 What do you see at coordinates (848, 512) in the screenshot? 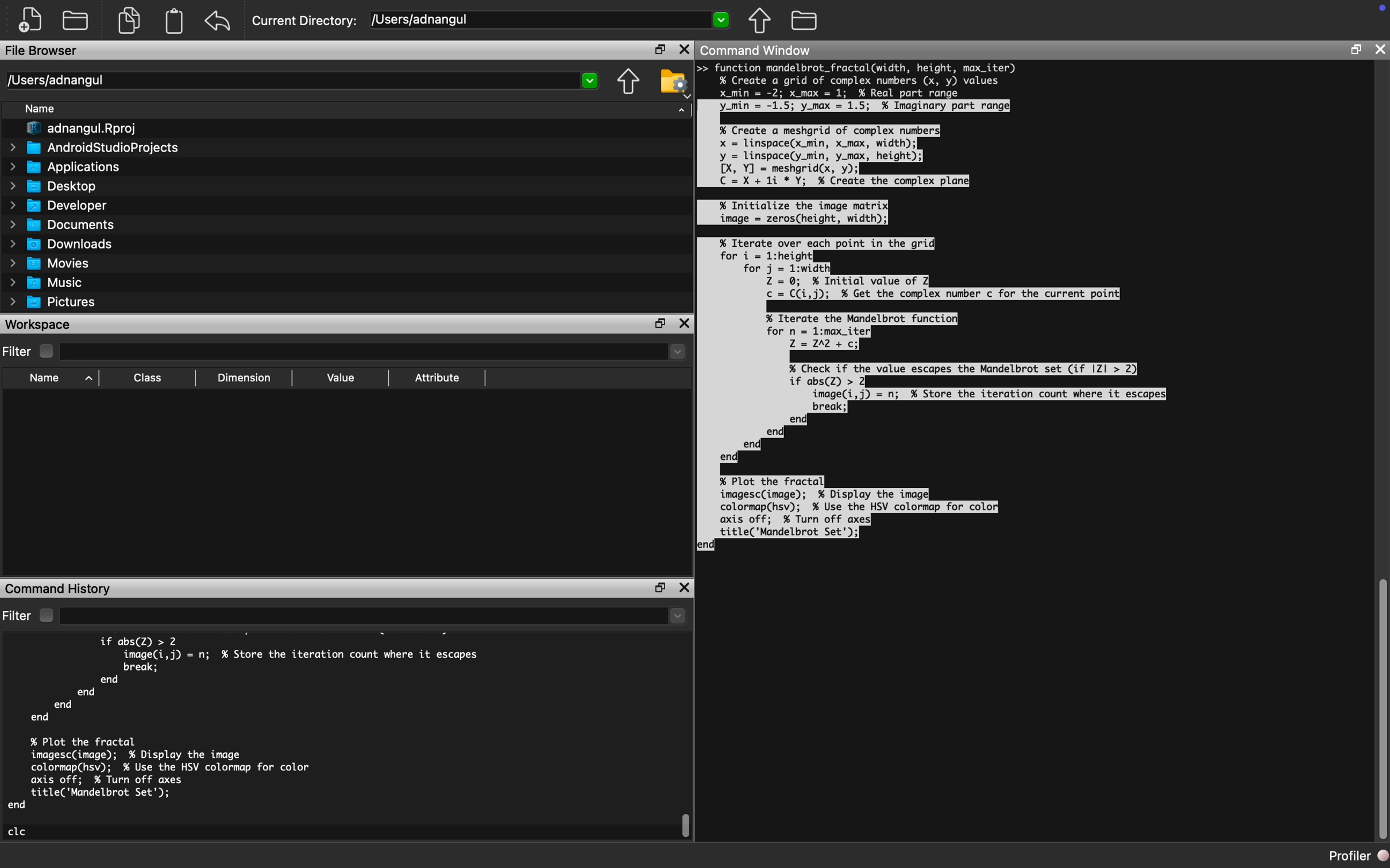
I see `% Plot the fractal
imagesc(image); % Display the image]
colormapChsv); % Use the HSV colormap for color]
axis off; % Turn off axes]
title('Mandelbrot Set');

end` at bounding box center [848, 512].